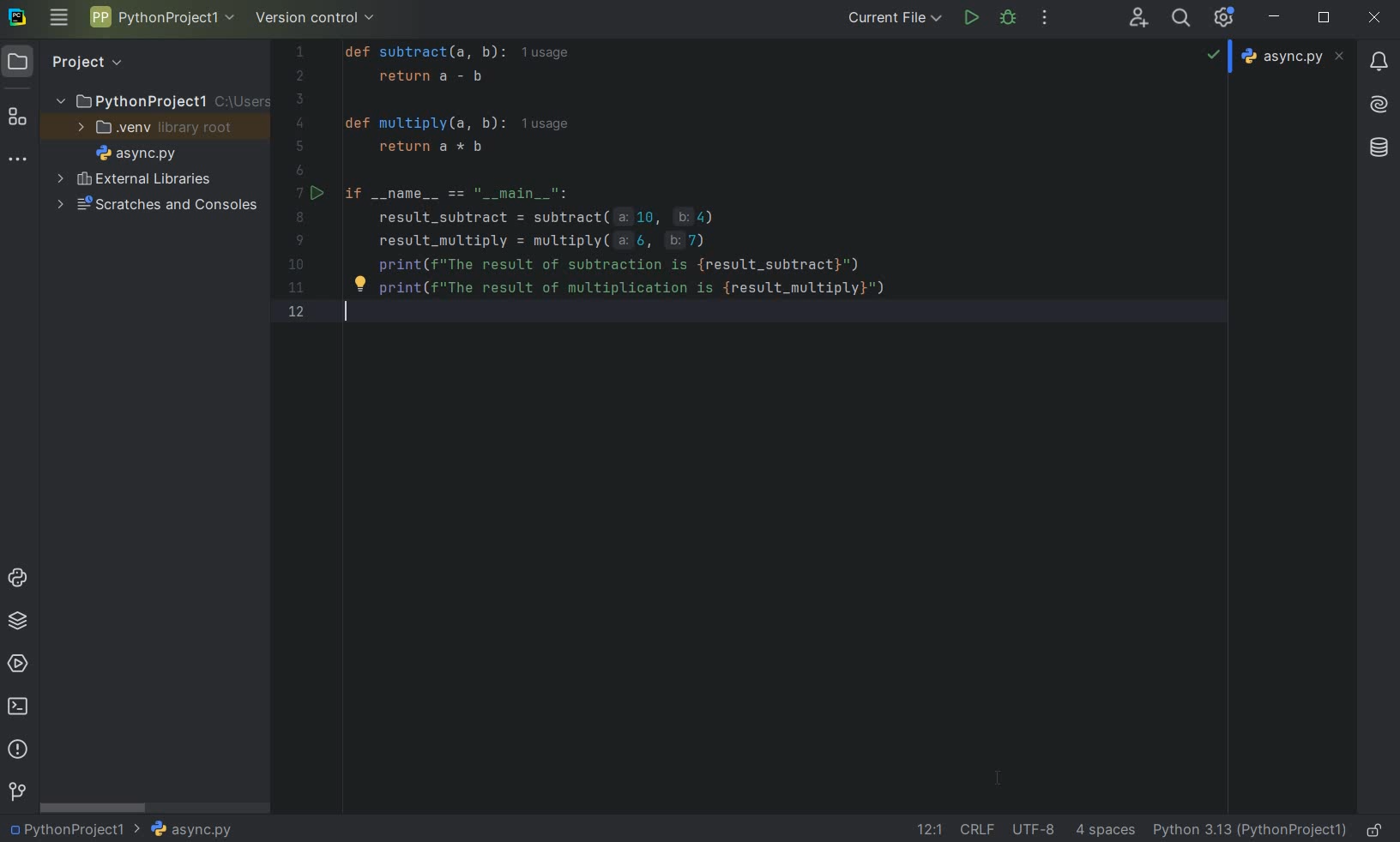  What do you see at coordinates (149, 181) in the screenshot?
I see `external libraries` at bounding box center [149, 181].